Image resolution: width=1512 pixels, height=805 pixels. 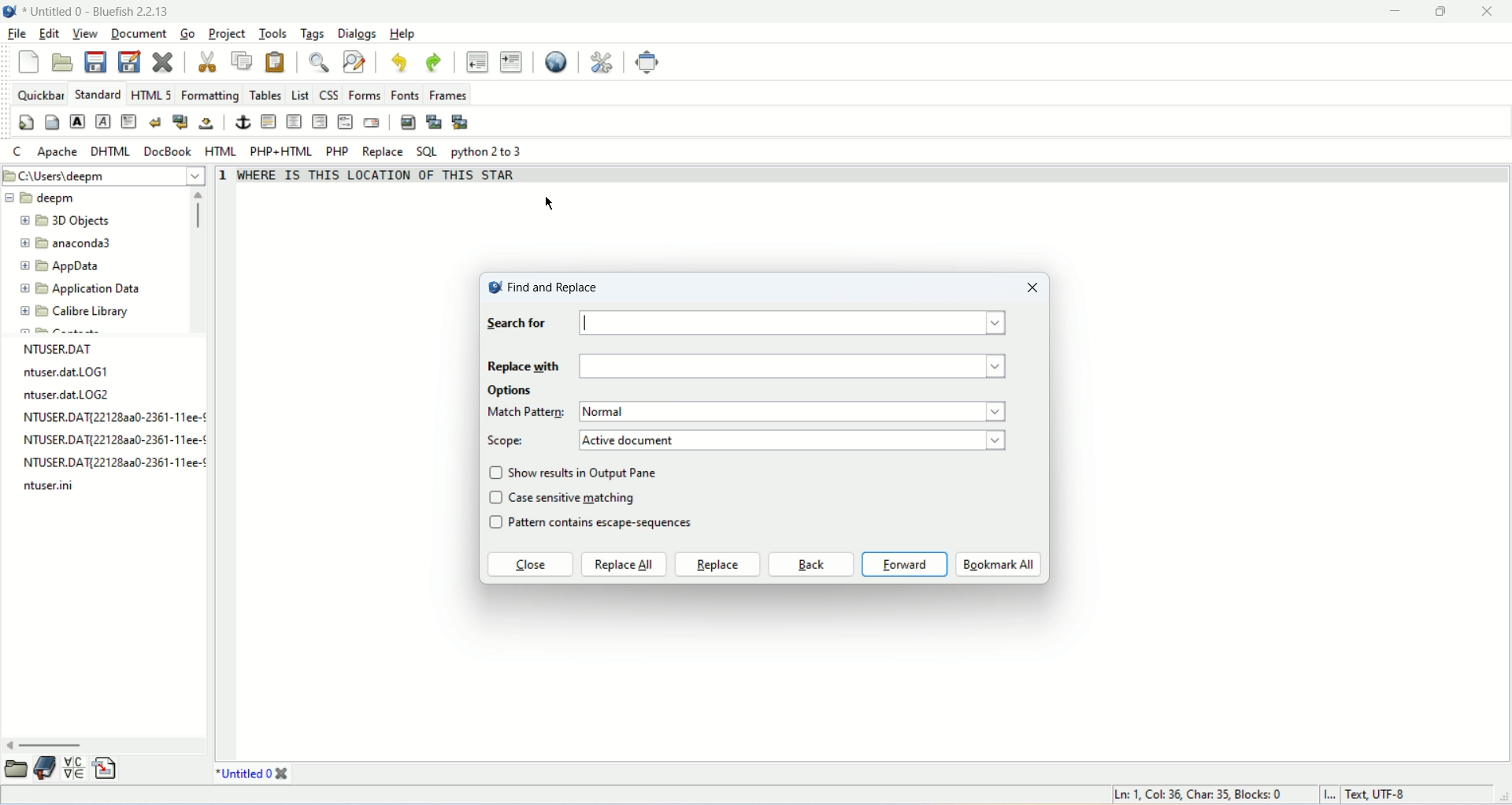 I want to click on formatting, so click(x=209, y=96).